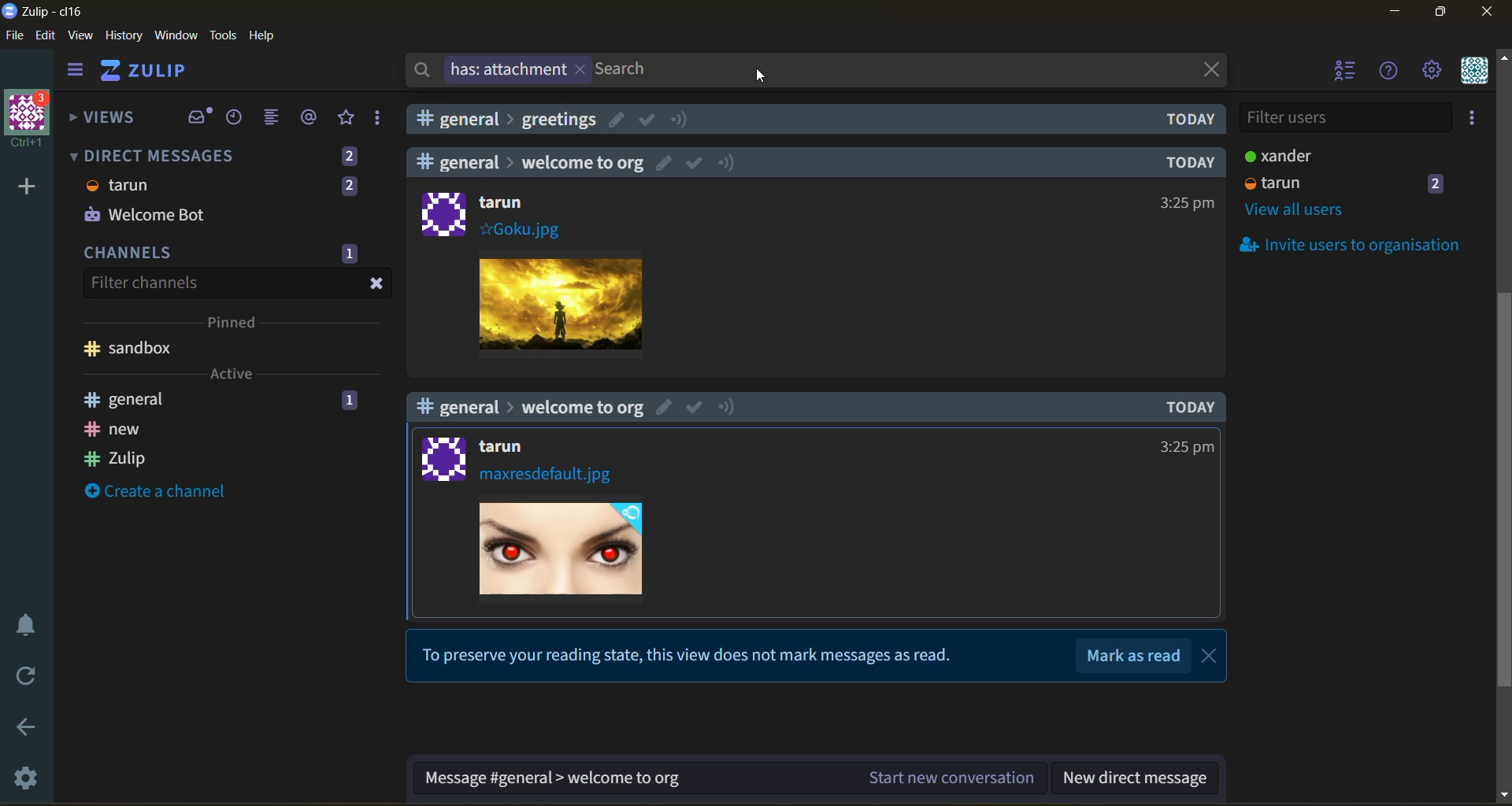  Describe the element at coordinates (349, 402) in the screenshot. I see `1` at that location.